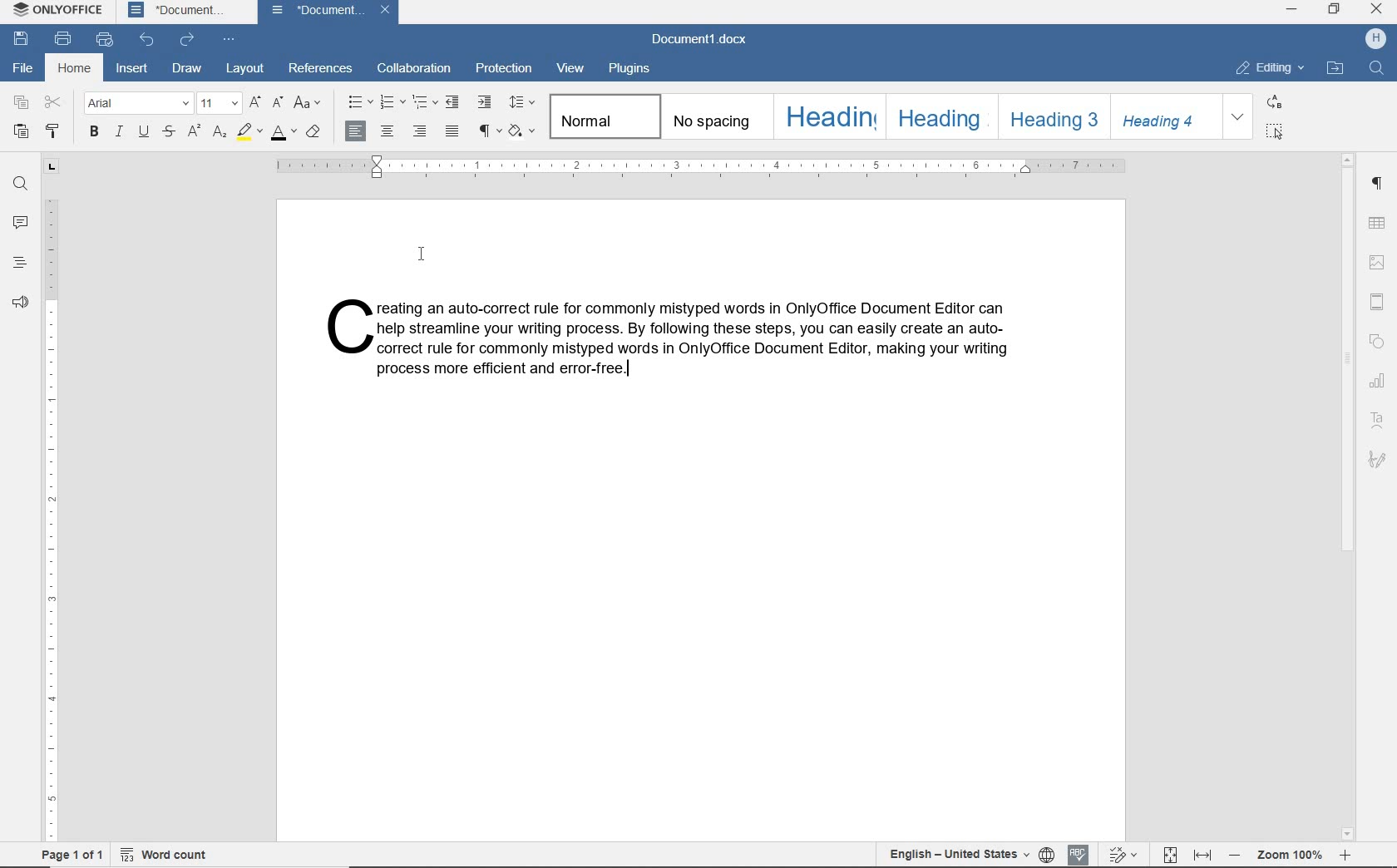  What do you see at coordinates (699, 38) in the screenshot?
I see `DOCUMENT .docx` at bounding box center [699, 38].